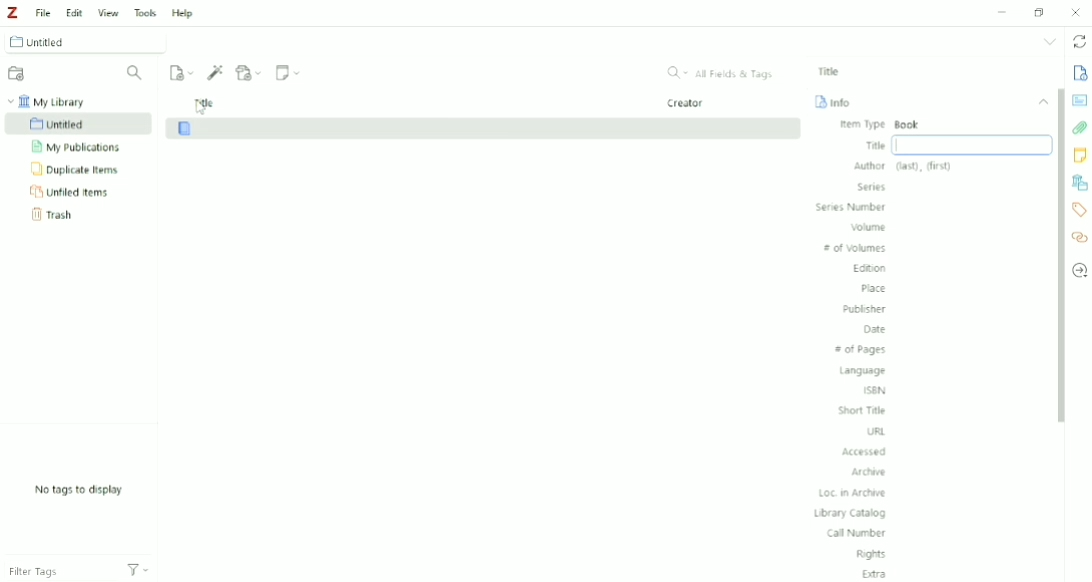 The width and height of the screenshot is (1092, 582). I want to click on ISBN, so click(877, 390).